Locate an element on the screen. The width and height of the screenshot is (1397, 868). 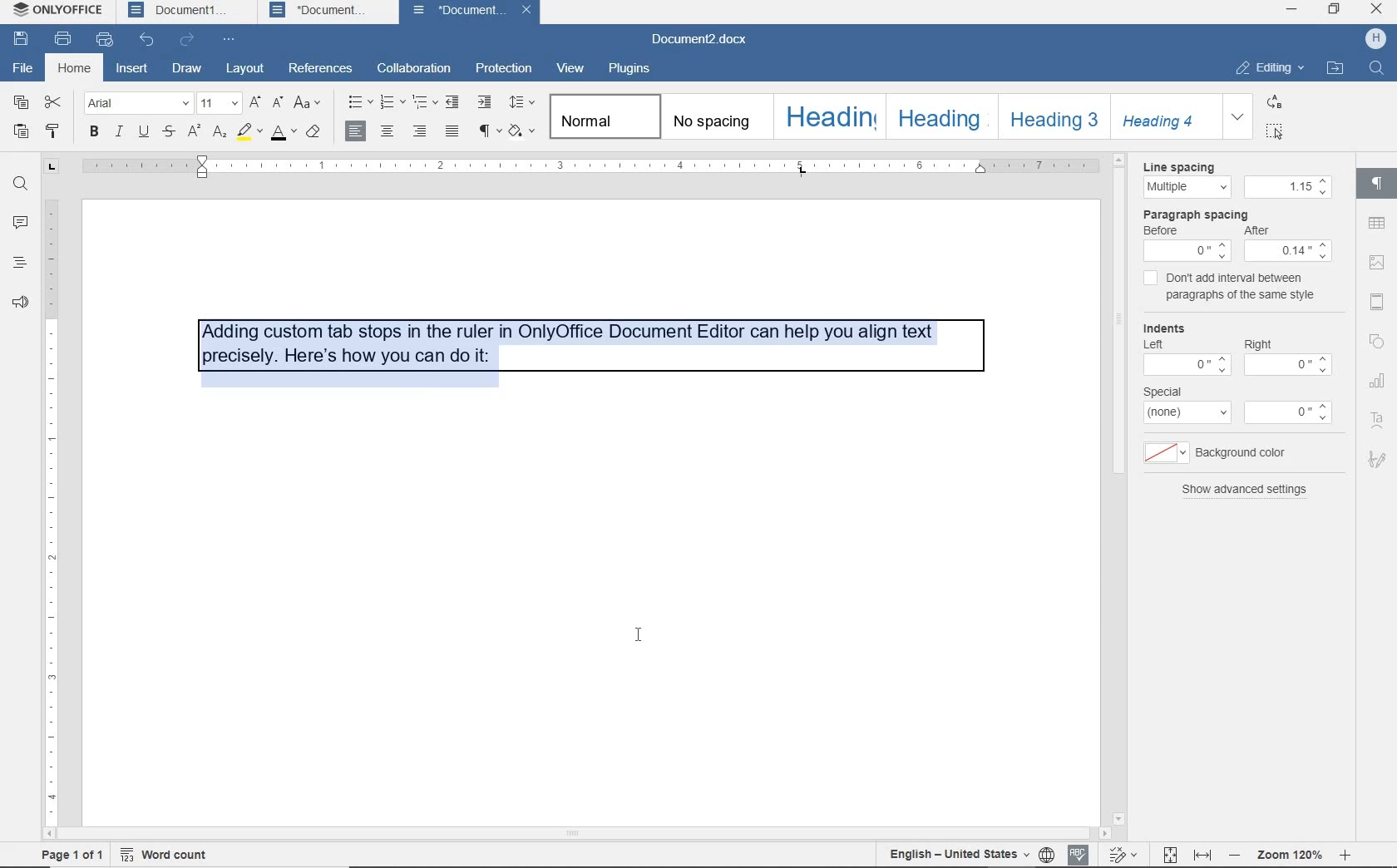
align center is located at coordinates (388, 131).